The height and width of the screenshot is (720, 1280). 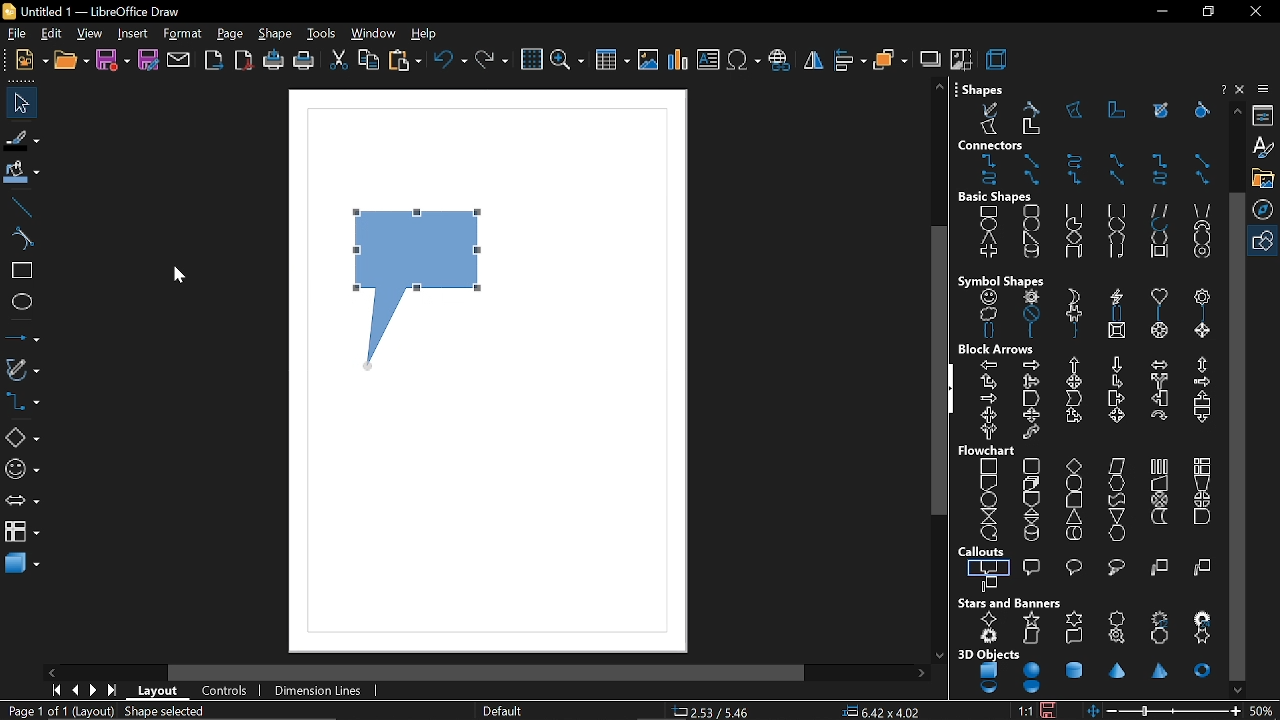 What do you see at coordinates (1117, 617) in the screenshot?
I see `8 point star` at bounding box center [1117, 617].